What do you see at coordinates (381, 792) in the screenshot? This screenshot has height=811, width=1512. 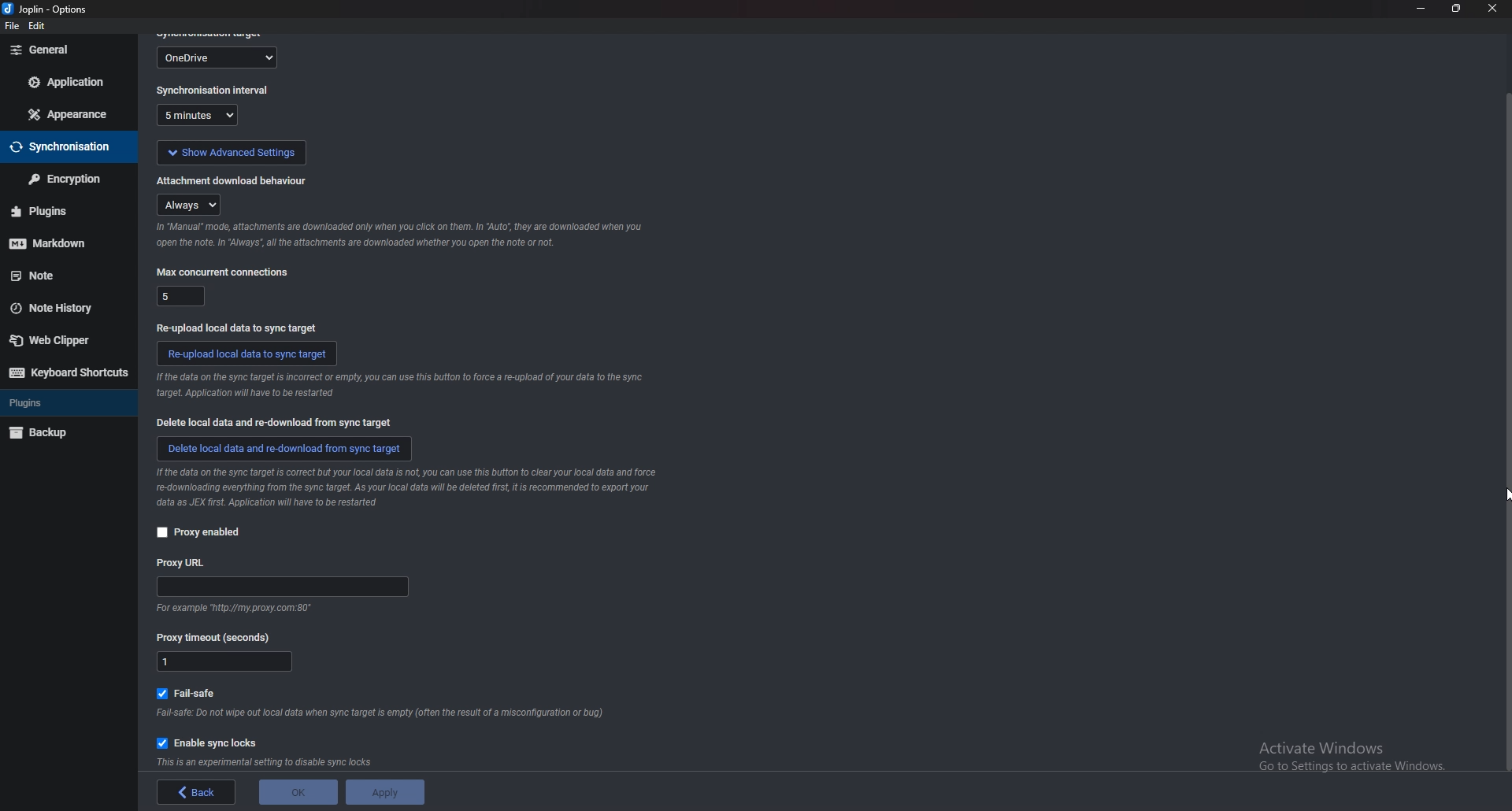 I see `apply` at bounding box center [381, 792].